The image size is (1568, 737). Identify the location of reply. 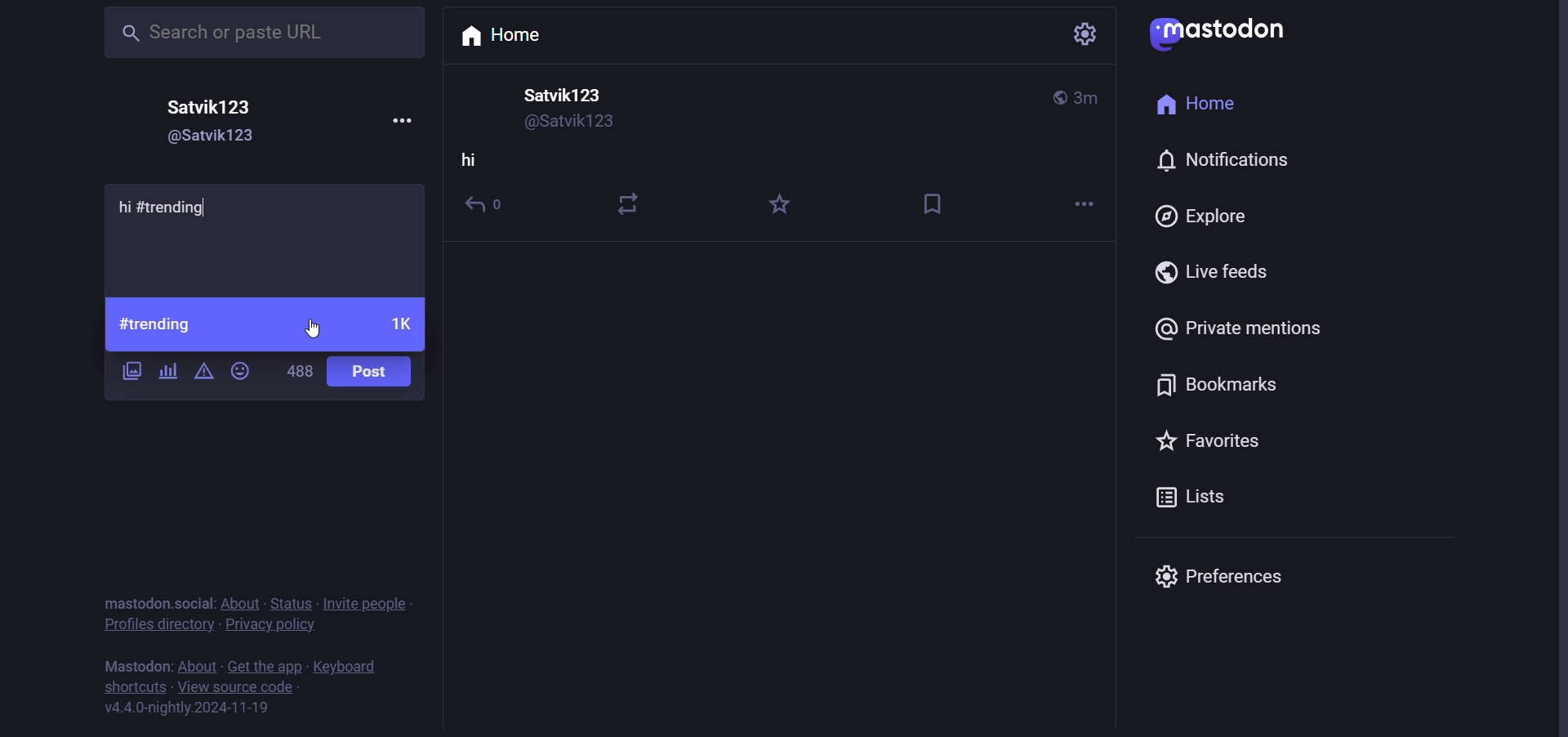
(489, 209).